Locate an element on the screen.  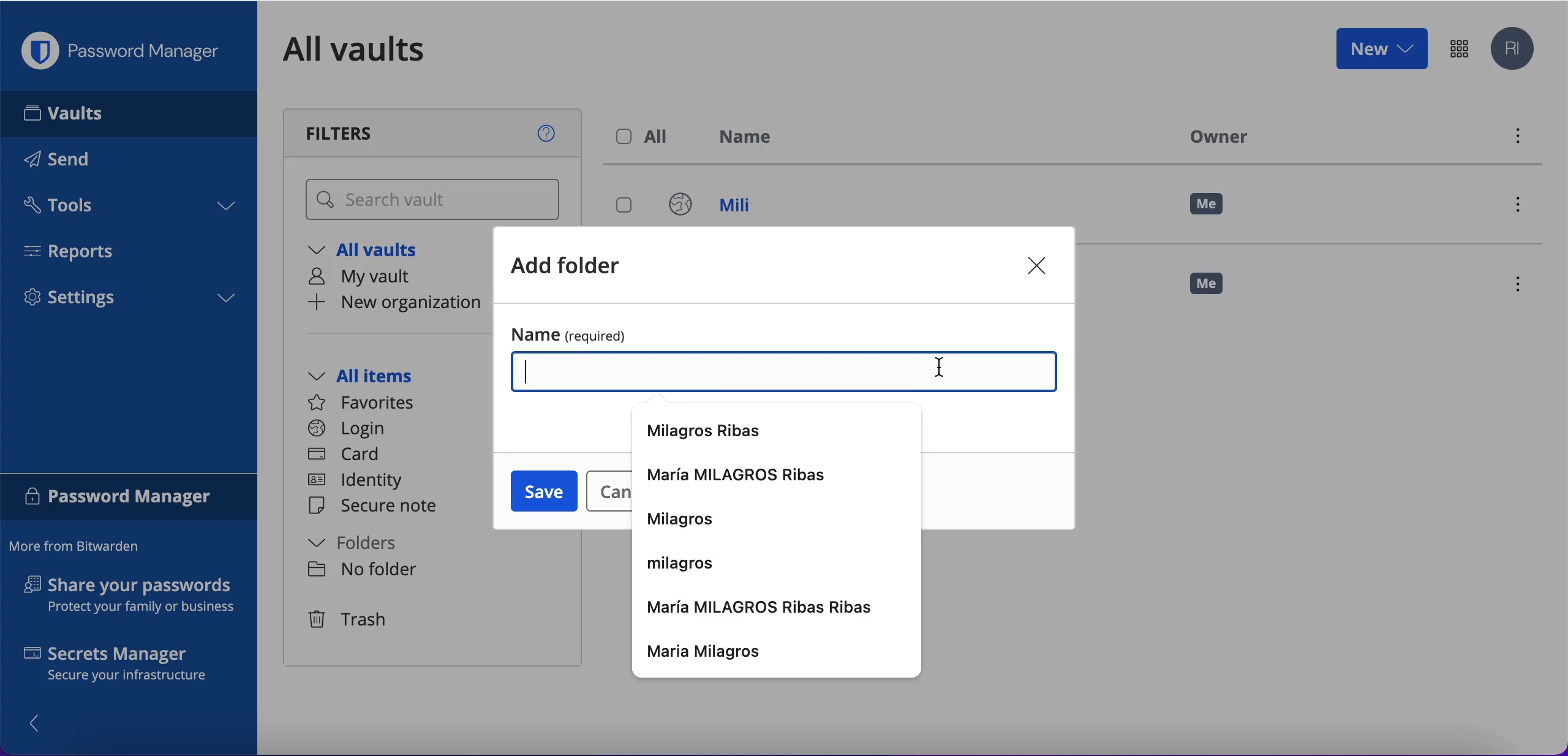
menu is located at coordinates (1523, 286).